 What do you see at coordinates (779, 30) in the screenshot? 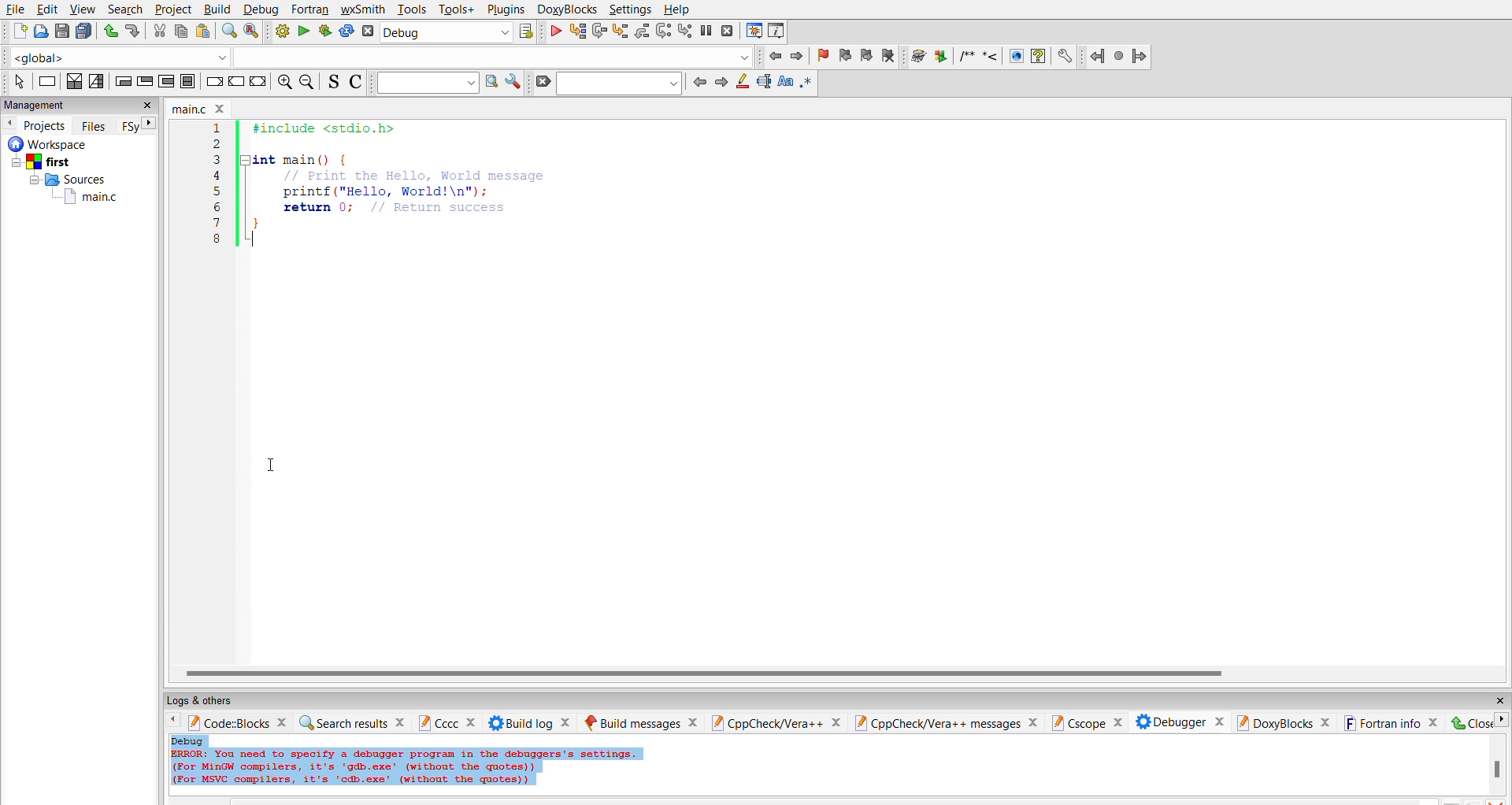
I see `various info` at bounding box center [779, 30].